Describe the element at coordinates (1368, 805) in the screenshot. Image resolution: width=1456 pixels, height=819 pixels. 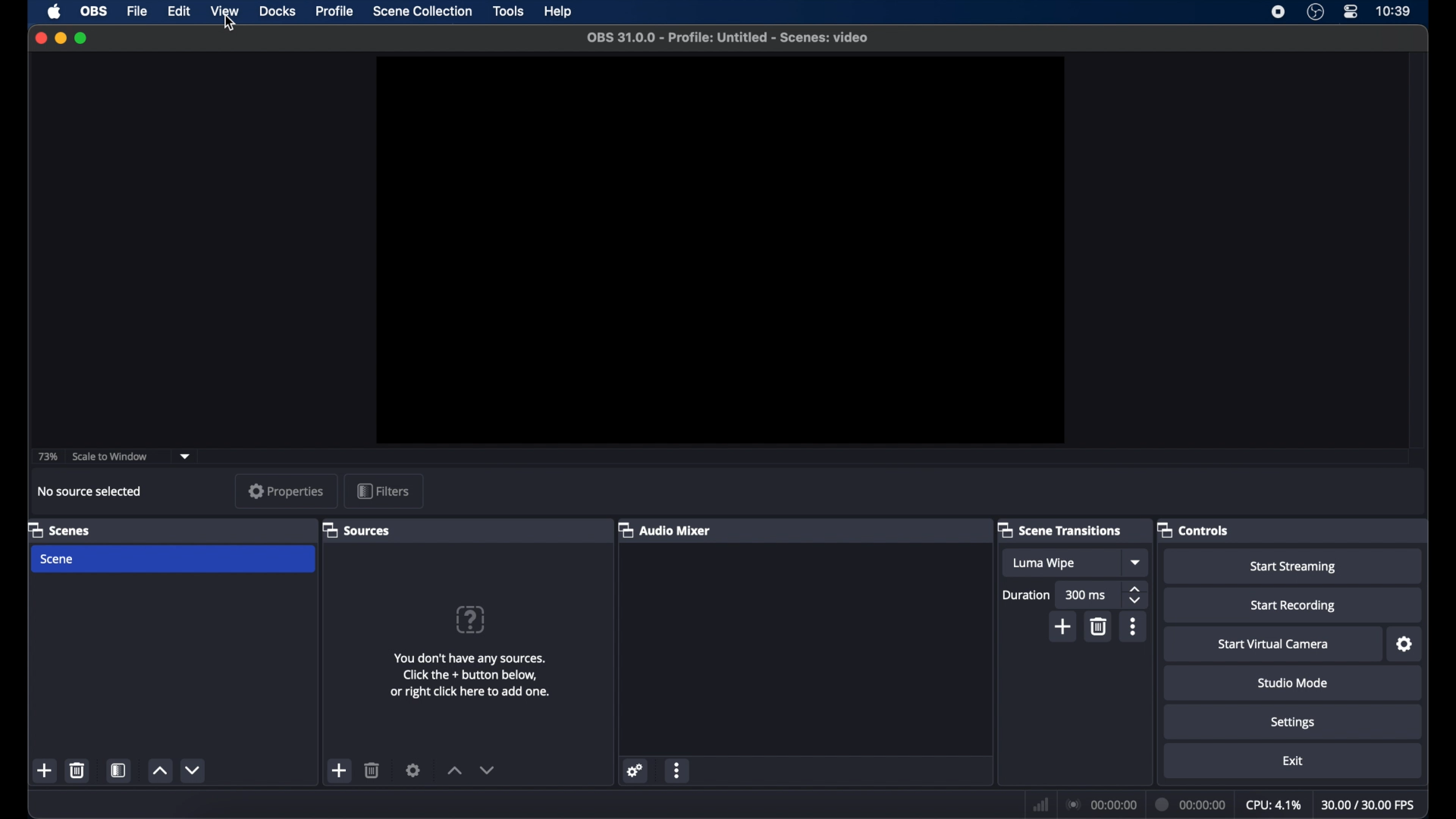
I see `30.00/30.00 fps` at that location.